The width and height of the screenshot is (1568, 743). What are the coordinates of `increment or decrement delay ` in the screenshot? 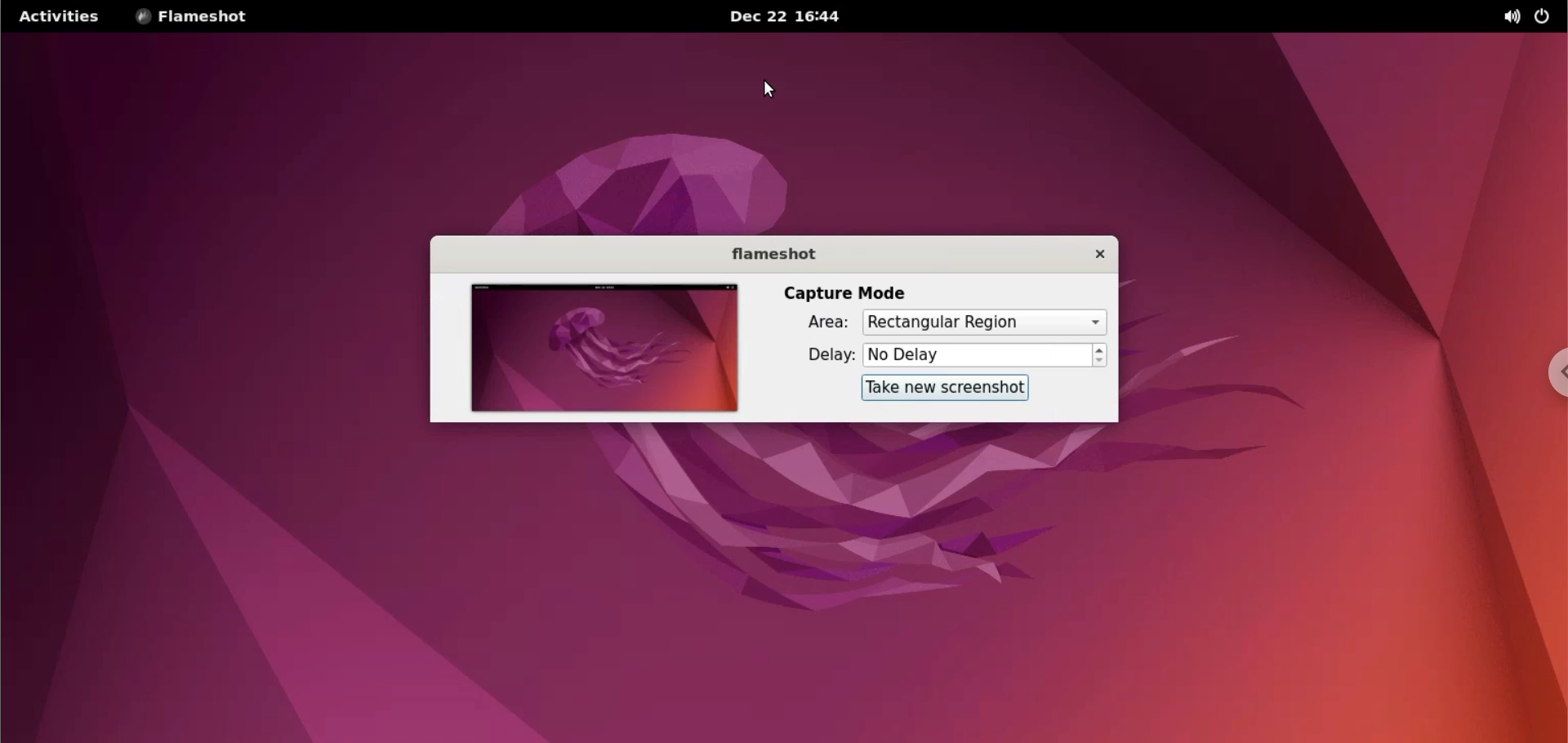 It's located at (1100, 355).